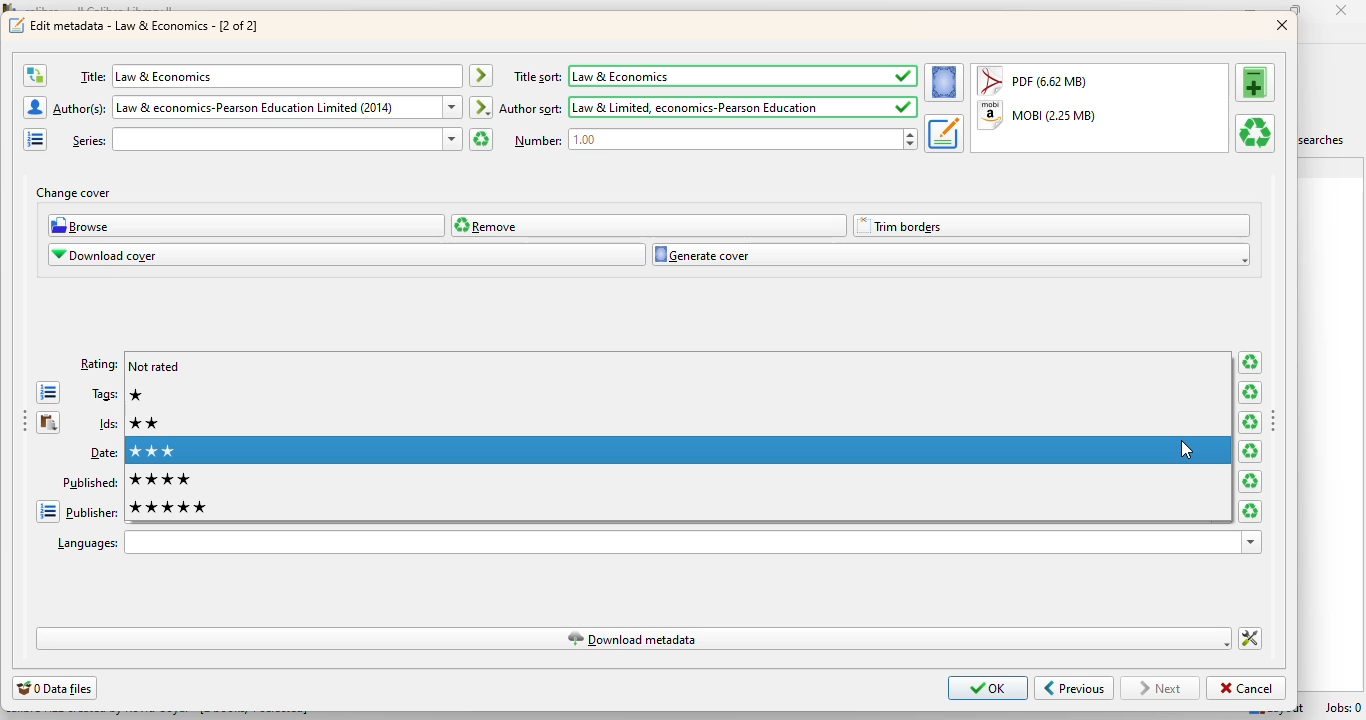  Describe the element at coordinates (1251, 452) in the screenshot. I see `clear date` at that location.